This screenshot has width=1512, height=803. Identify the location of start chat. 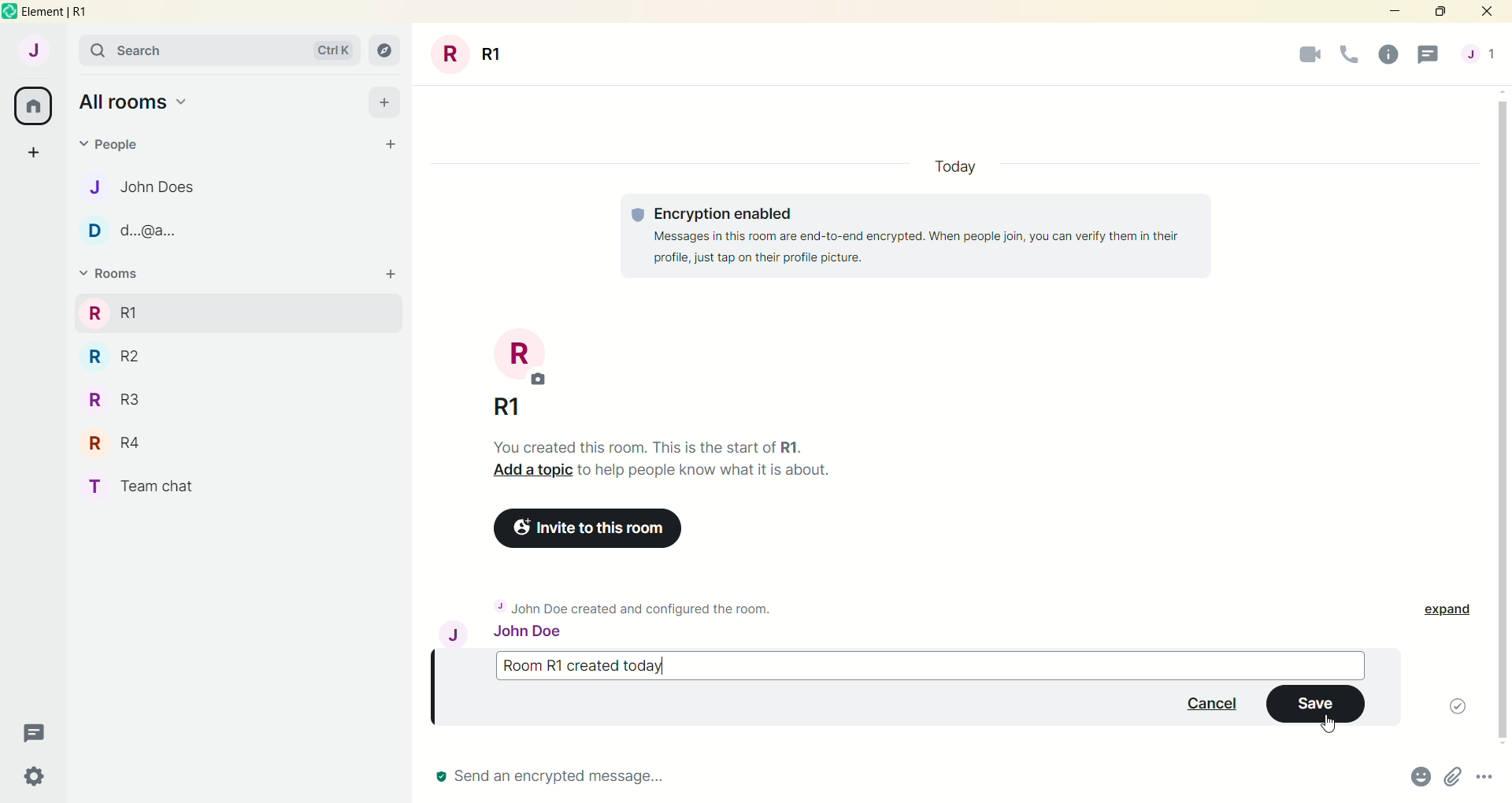
(385, 142).